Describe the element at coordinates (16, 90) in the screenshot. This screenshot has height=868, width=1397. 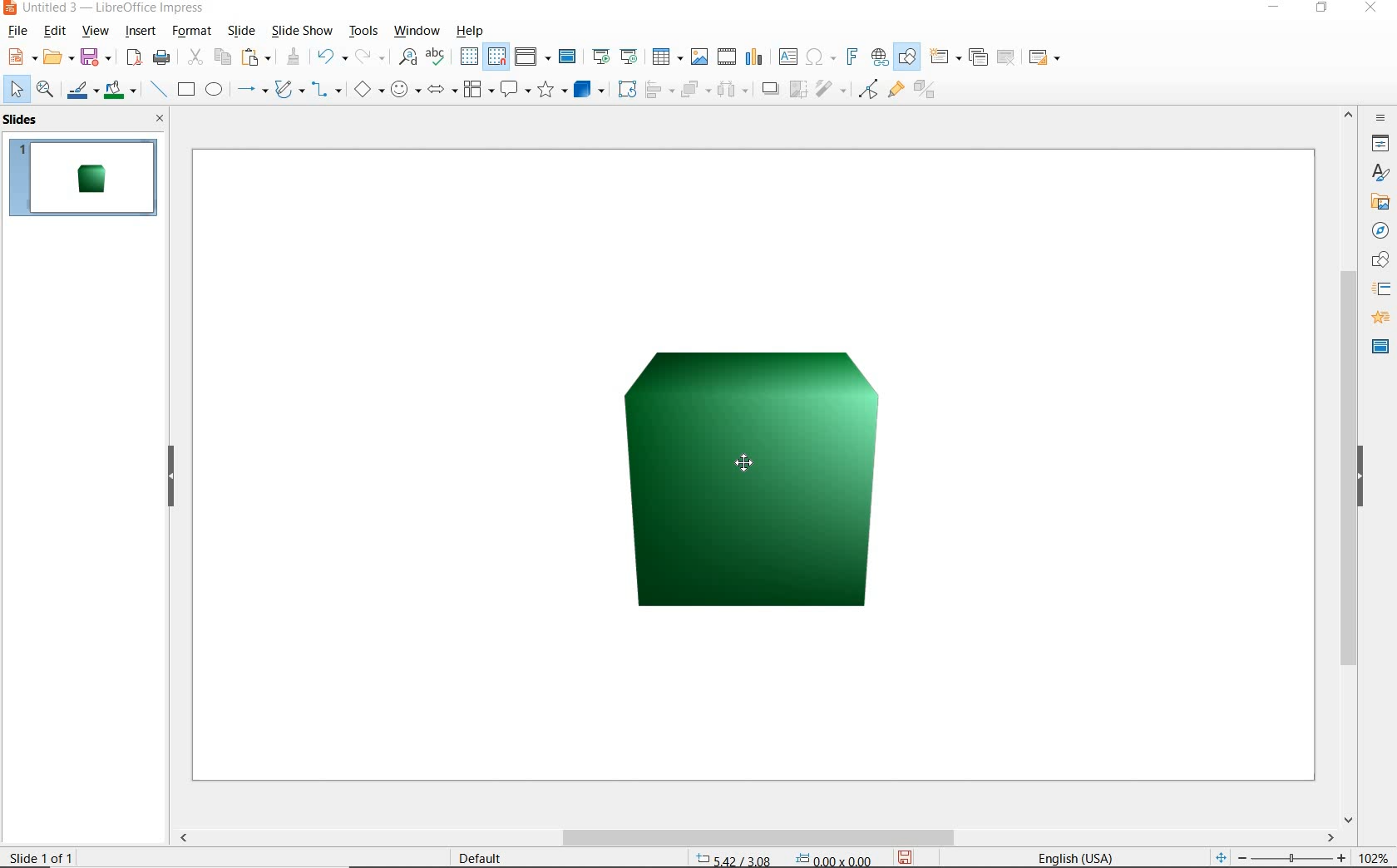
I see `select` at that location.